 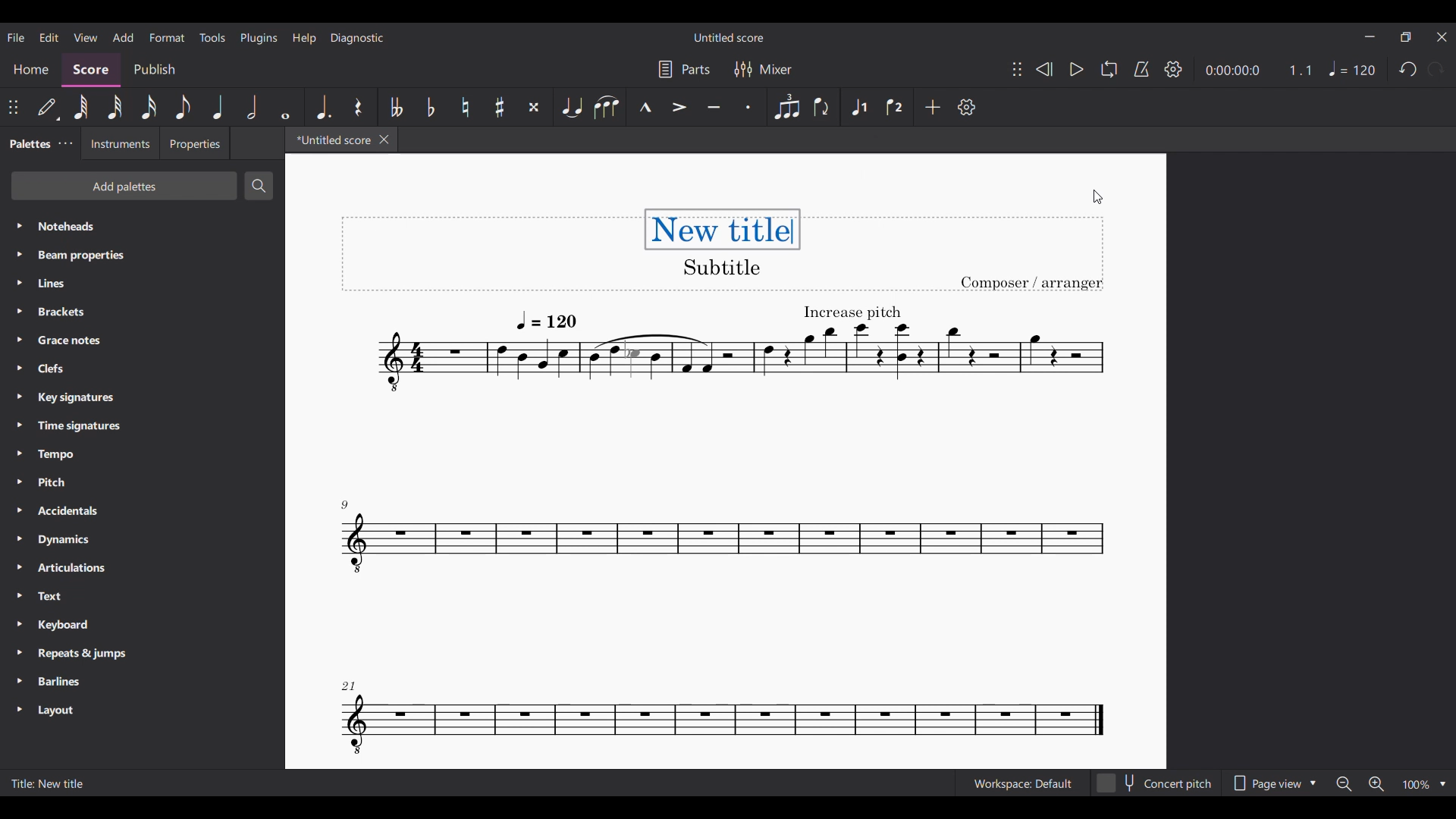 I want to click on Filp direction, so click(x=821, y=107).